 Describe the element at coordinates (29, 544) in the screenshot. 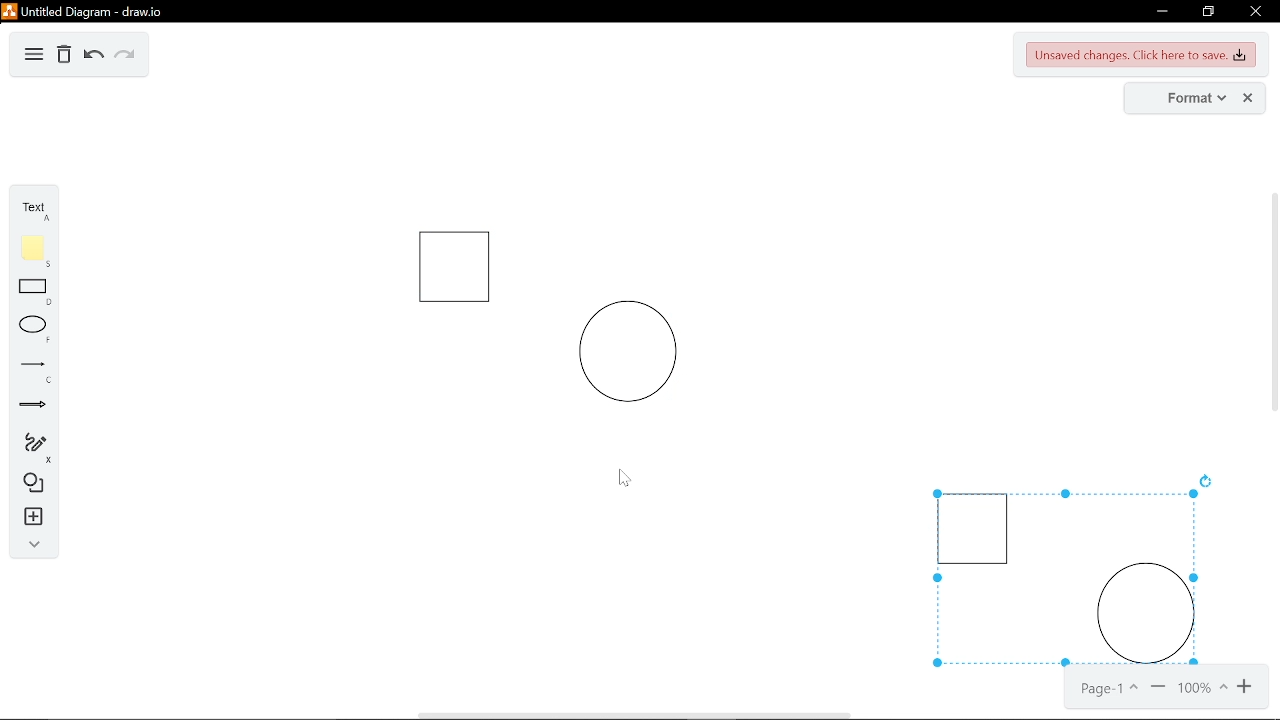

I see `collapse` at that location.